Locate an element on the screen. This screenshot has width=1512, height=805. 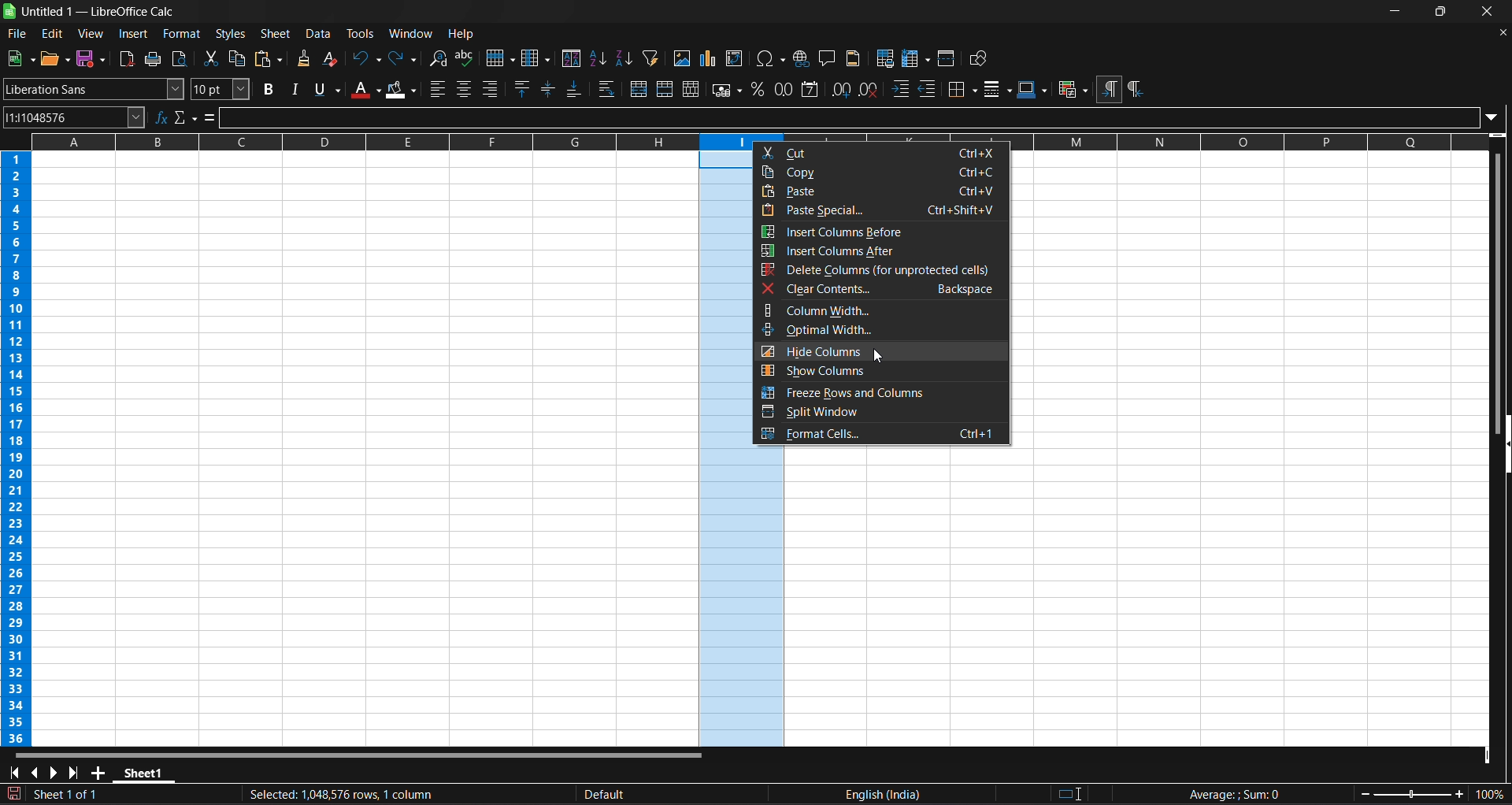
vertical scroll bar is located at coordinates (1500, 278).